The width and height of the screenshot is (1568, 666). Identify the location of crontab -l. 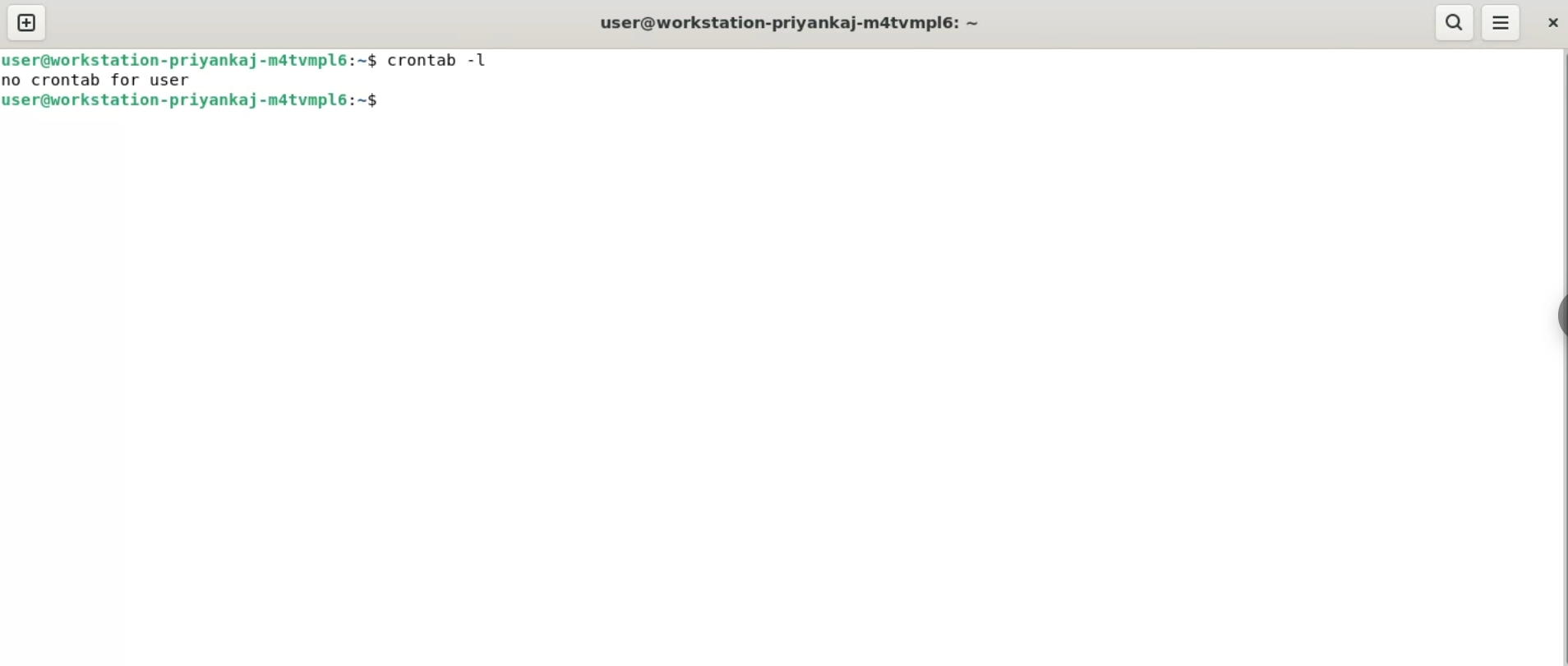
(446, 60).